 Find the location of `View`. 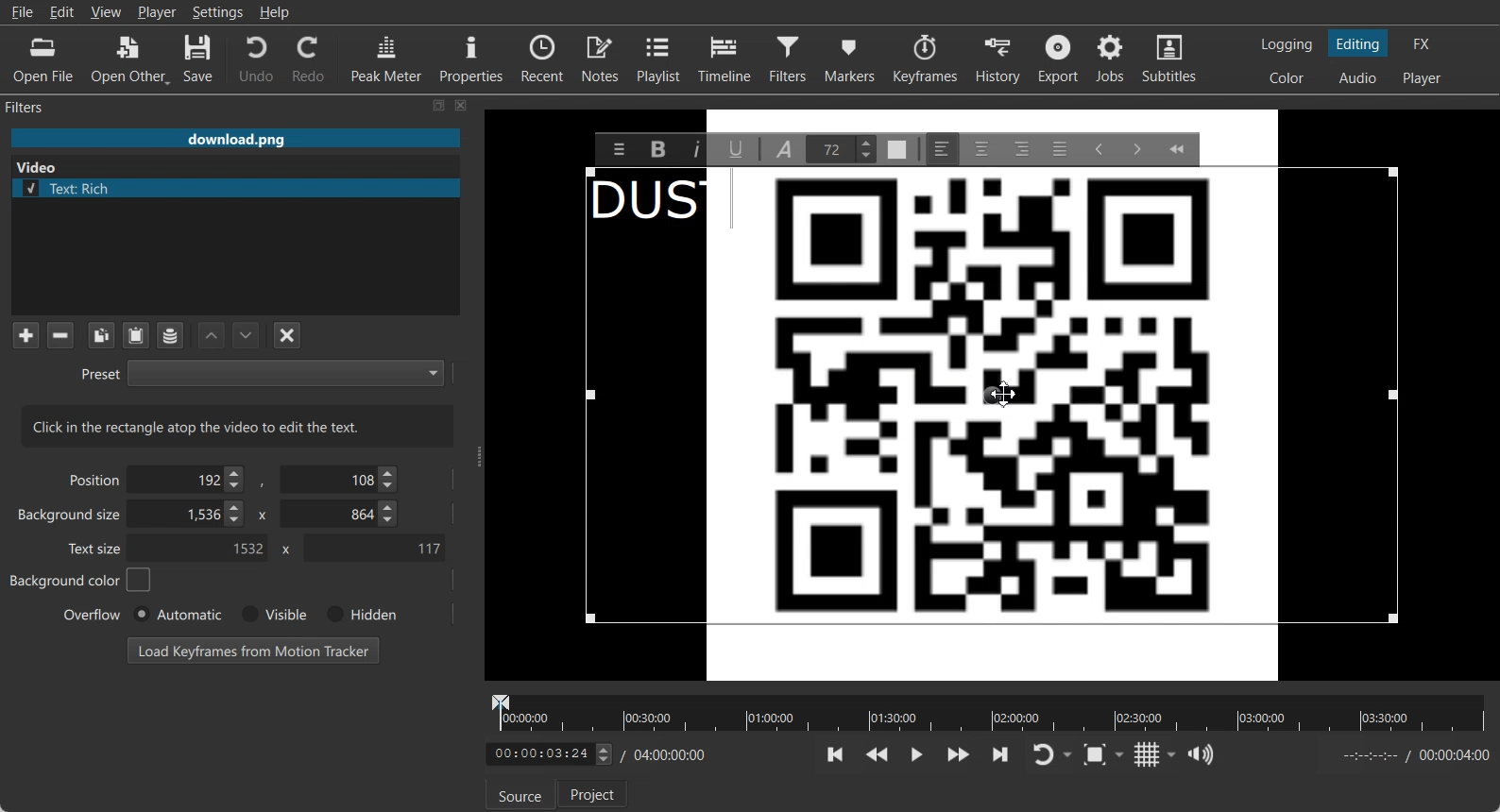

View is located at coordinates (106, 11).